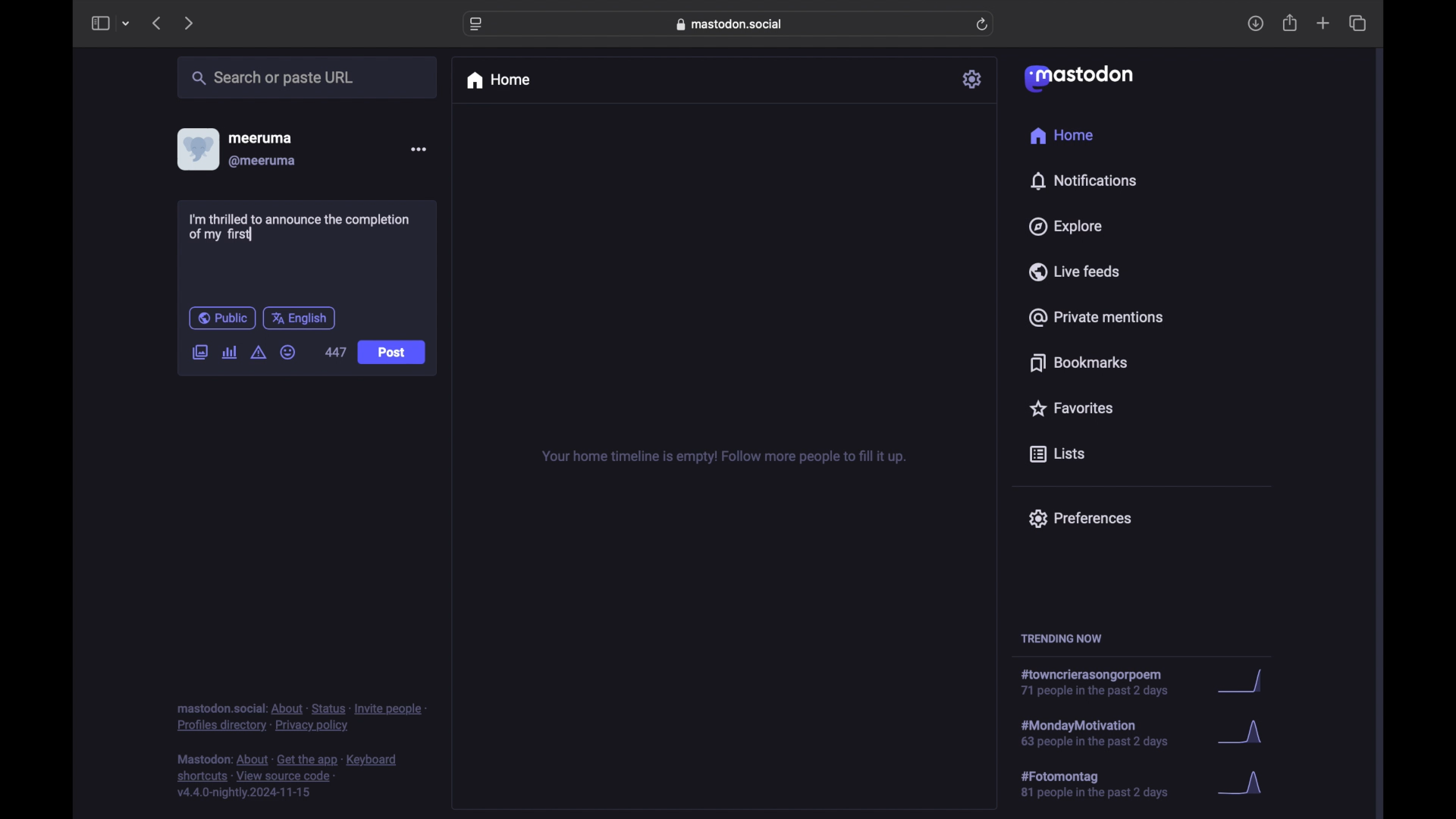 The width and height of the screenshot is (1456, 819). I want to click on trending now, so click(1061, 639).